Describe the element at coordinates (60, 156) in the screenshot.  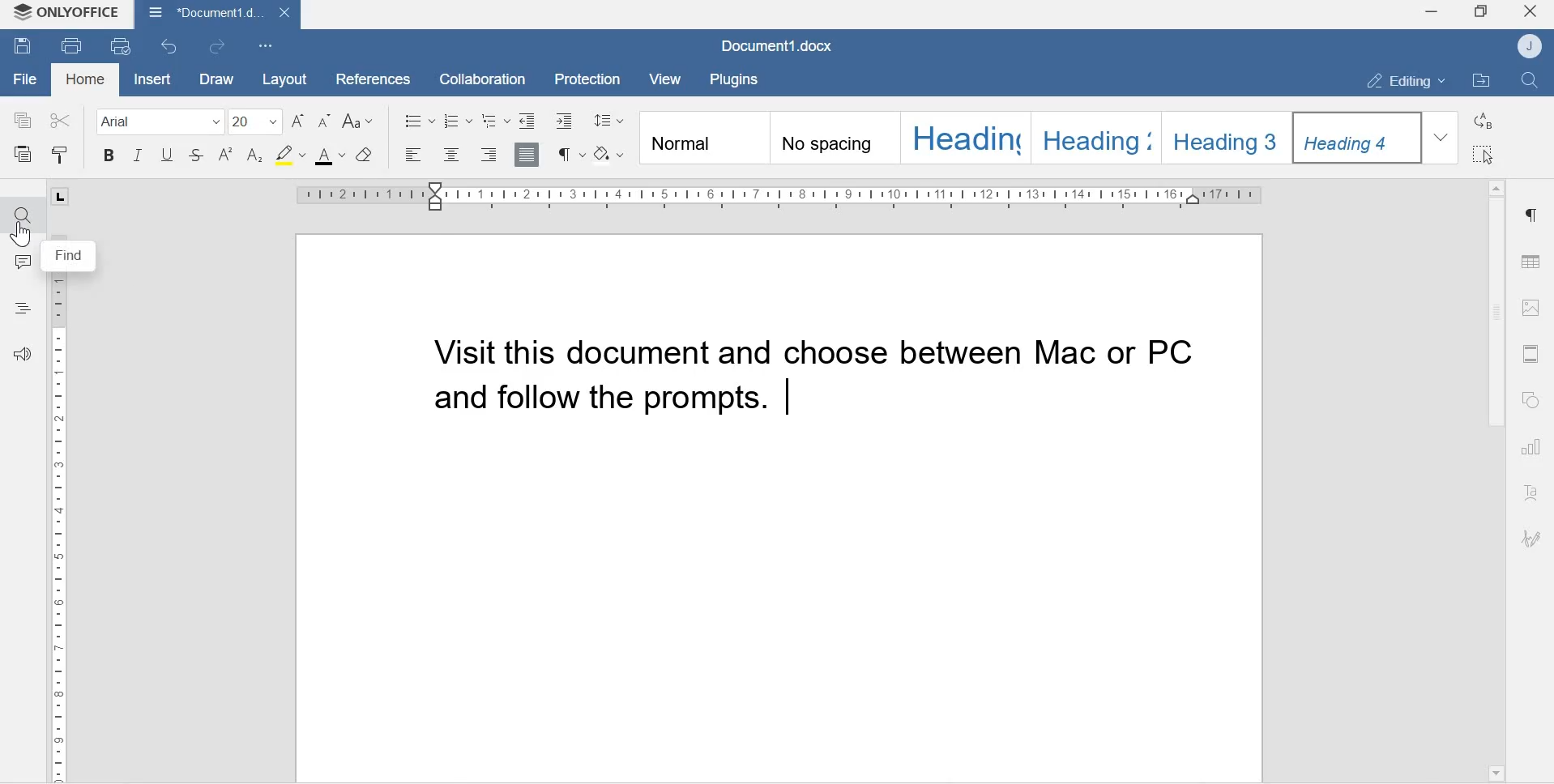
I see `Copy style` at that location.